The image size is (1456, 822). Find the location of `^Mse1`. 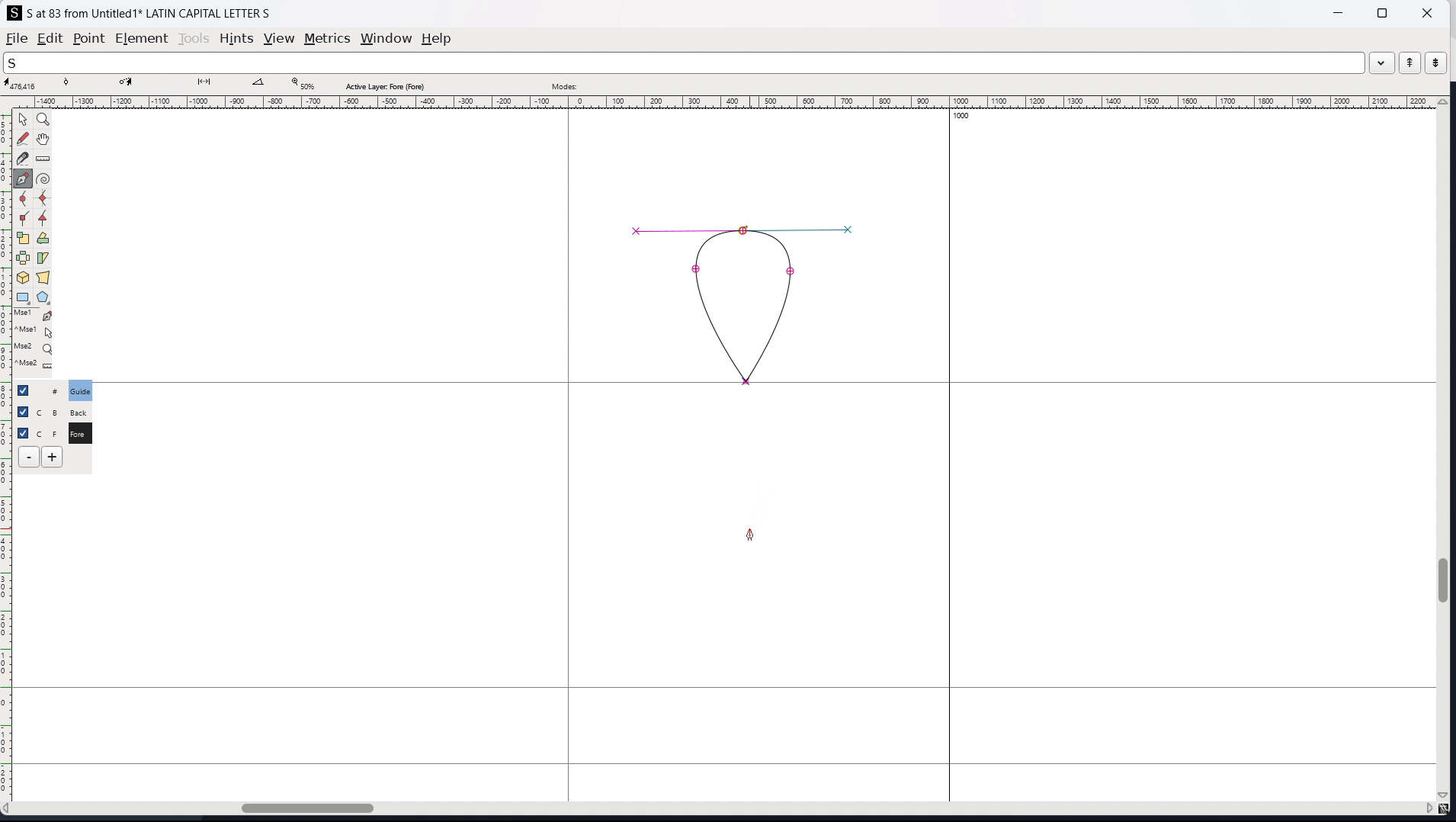

^Mse1 is located at coordinates (34, 332).